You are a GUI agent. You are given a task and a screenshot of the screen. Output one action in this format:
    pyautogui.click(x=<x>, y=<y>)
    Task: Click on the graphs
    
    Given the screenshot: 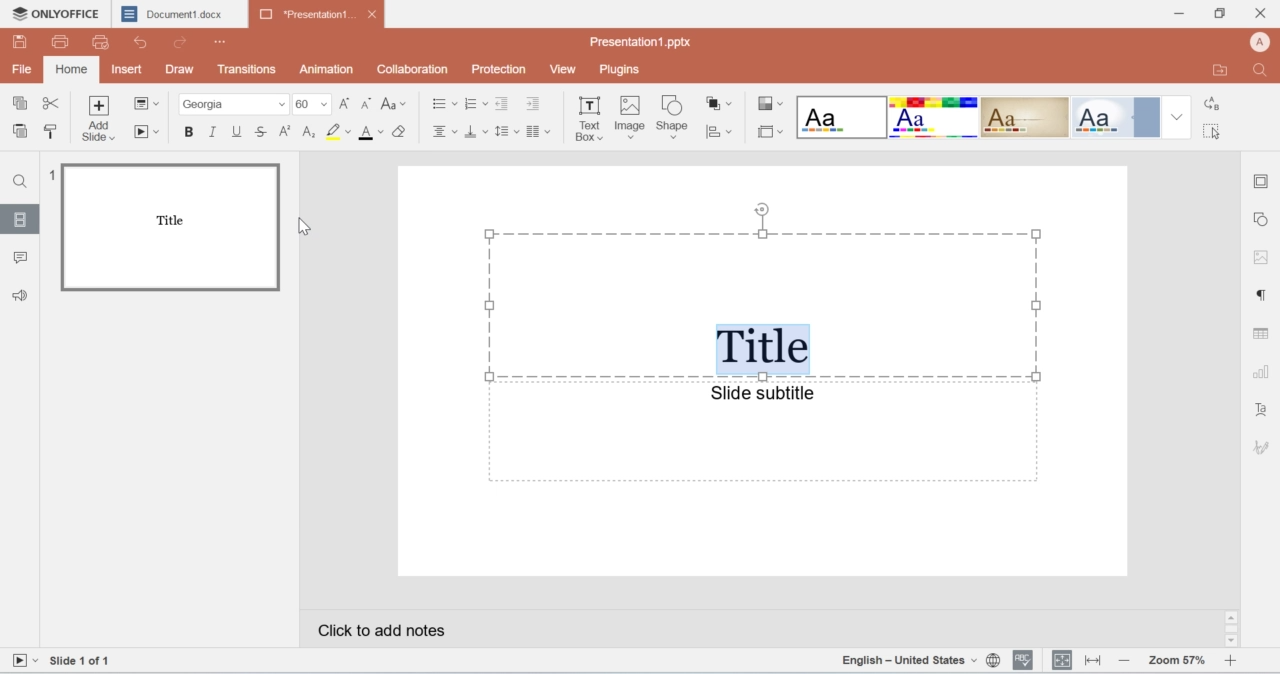 What is the action you would take?
    pyautogui.click(x=722, y=134)
    